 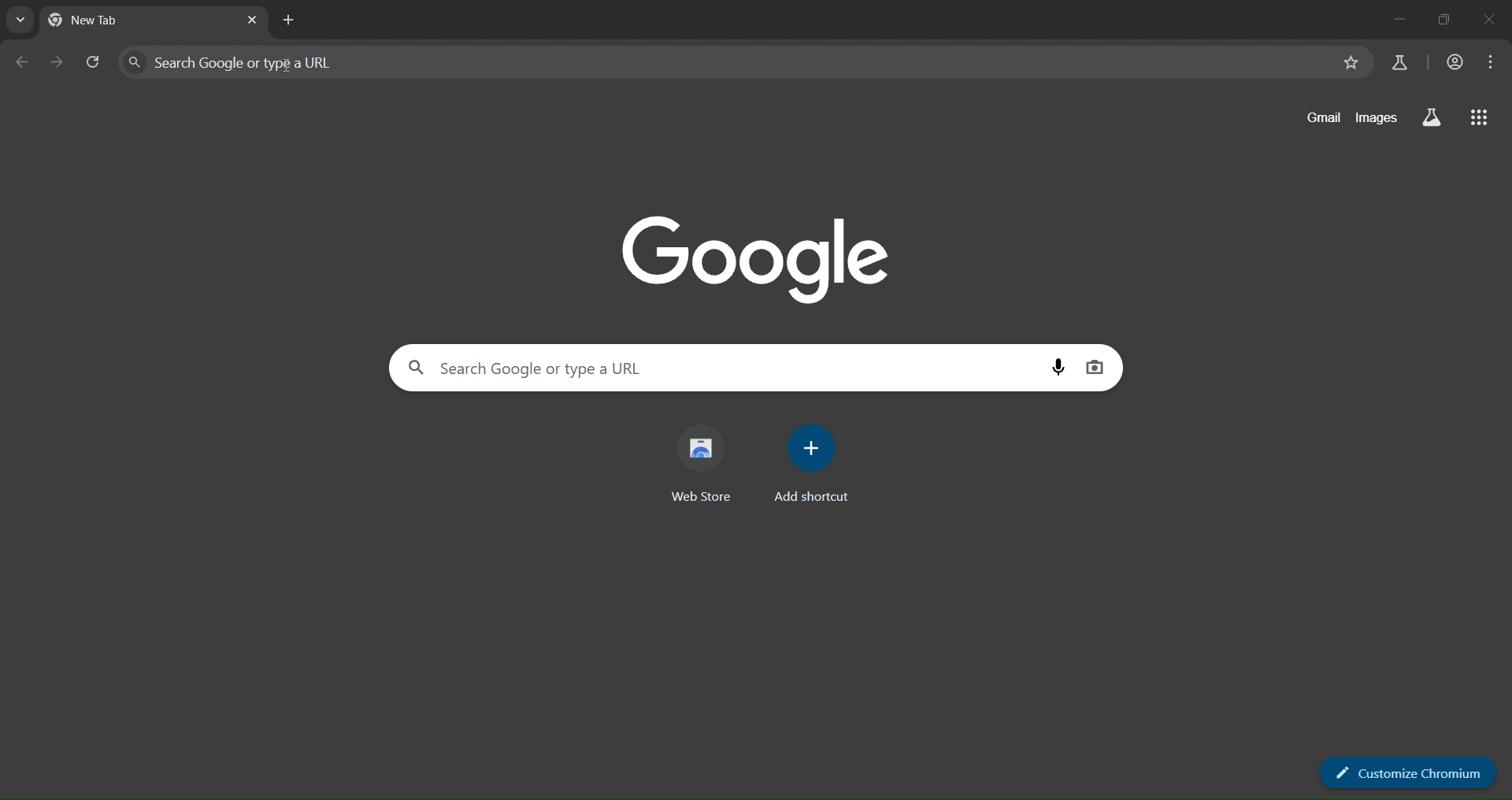 What do you see at coordinates (256, 20) in the screenshot?
I see `close tab` at bounding box center [256, 20].